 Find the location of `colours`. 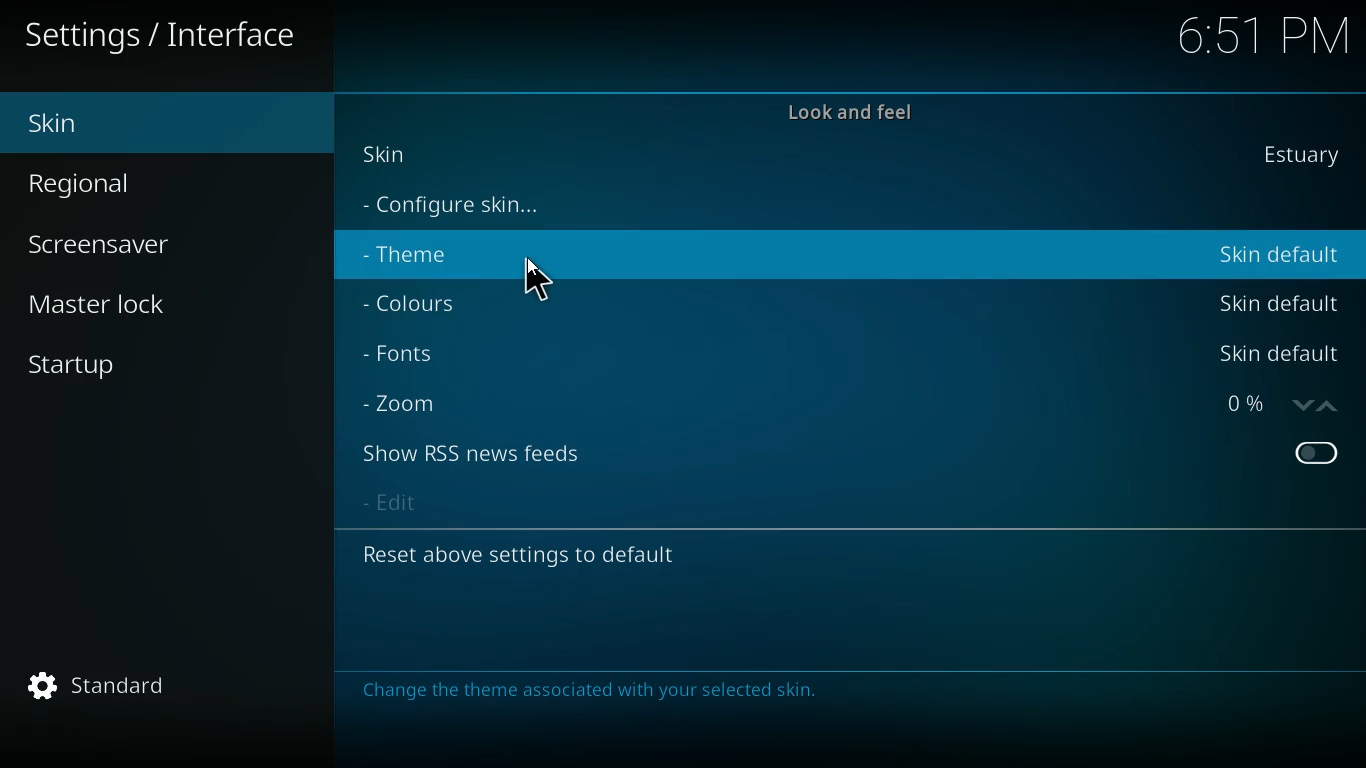

colours is located at coordinates (419, 304).